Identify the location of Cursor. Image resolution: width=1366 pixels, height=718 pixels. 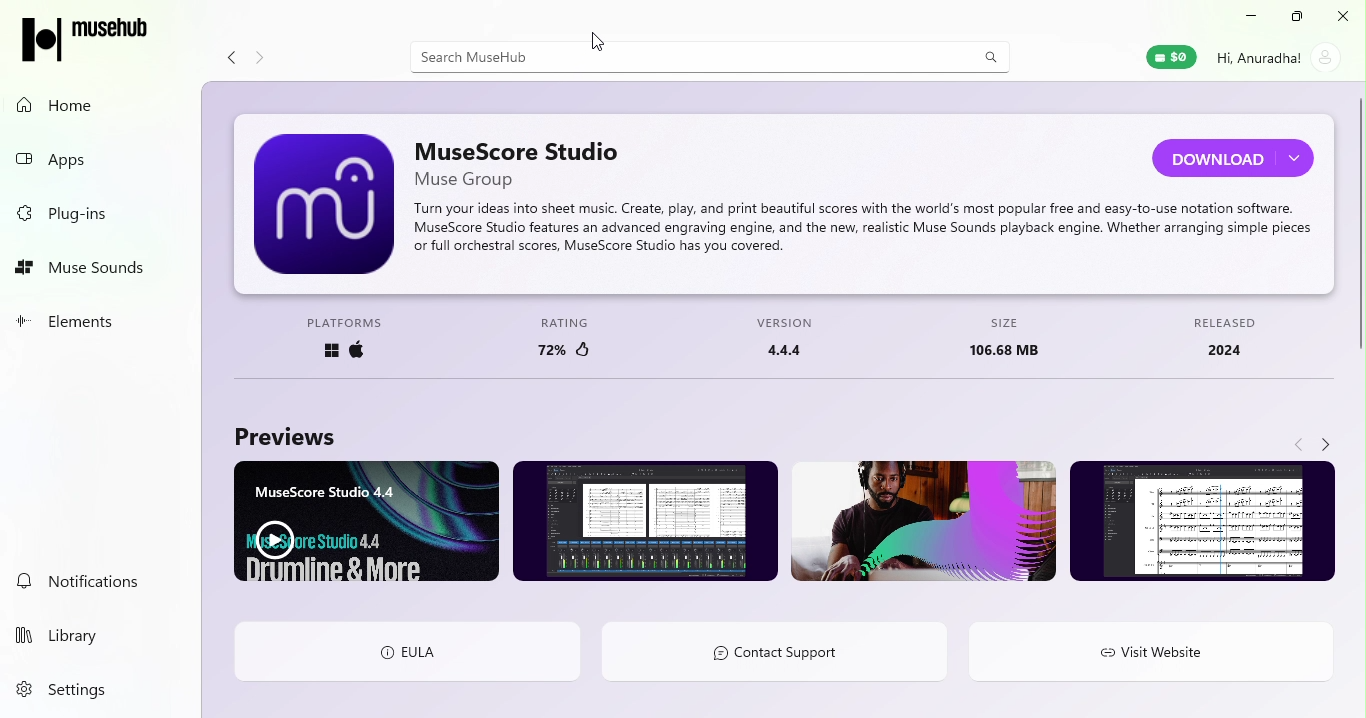
(600, 44).